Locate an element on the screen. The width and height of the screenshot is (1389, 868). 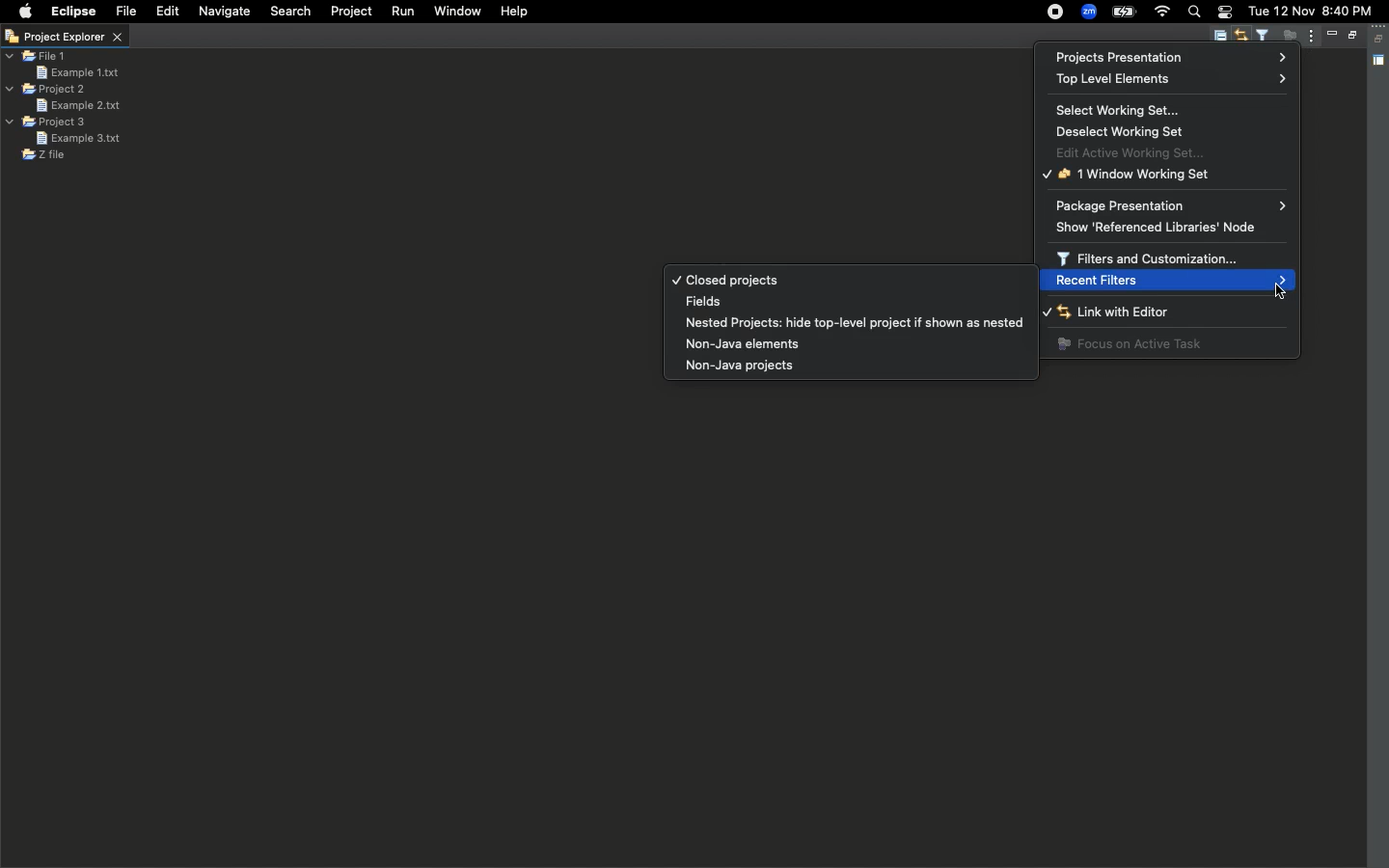
Non-java elements is located at coordinates (746, 344).